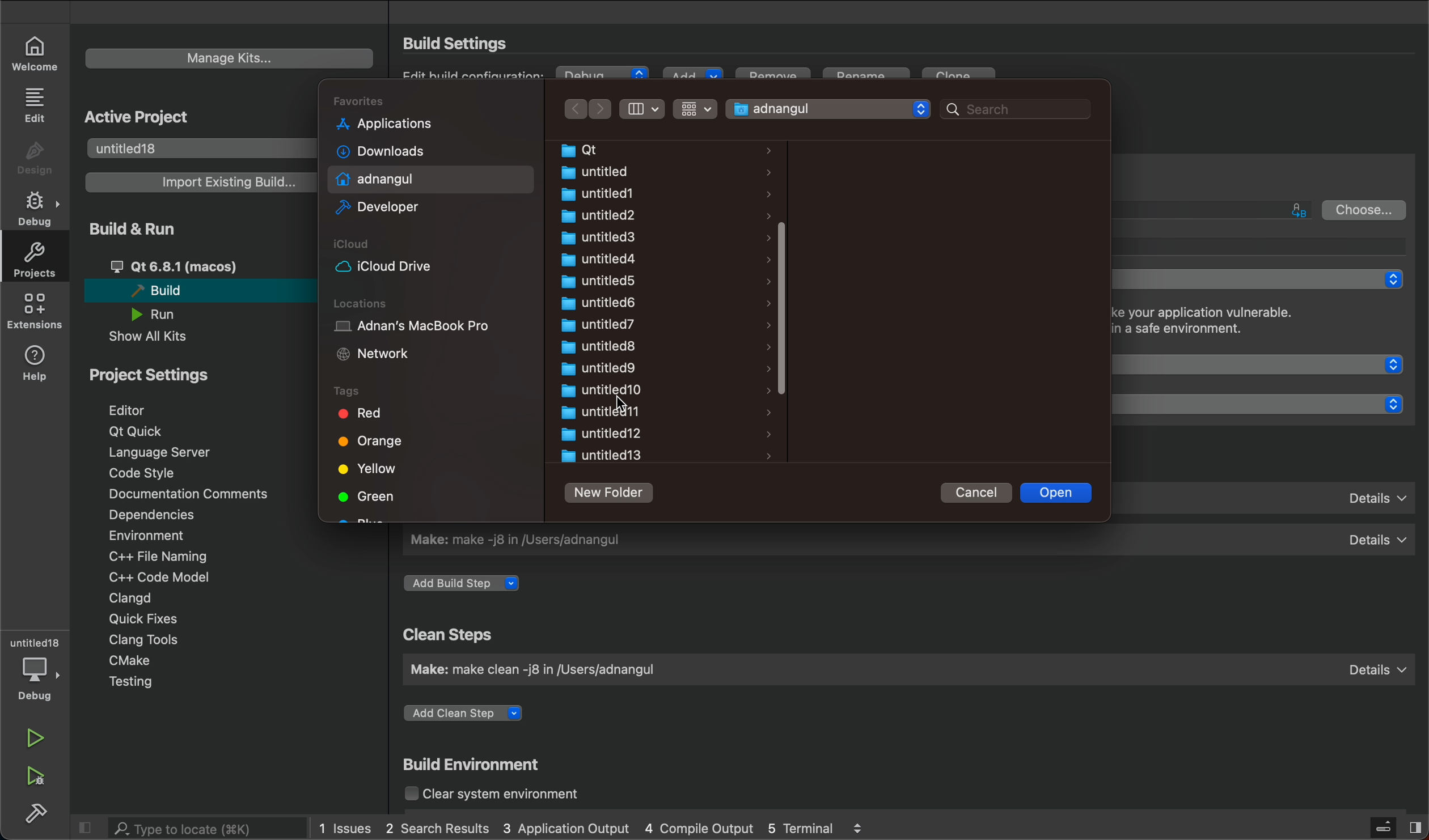 This screenshot has height=840, width=1429. Describe the element at coordinates (657, 368) in the screenshot. I see `untitled9` at that location.